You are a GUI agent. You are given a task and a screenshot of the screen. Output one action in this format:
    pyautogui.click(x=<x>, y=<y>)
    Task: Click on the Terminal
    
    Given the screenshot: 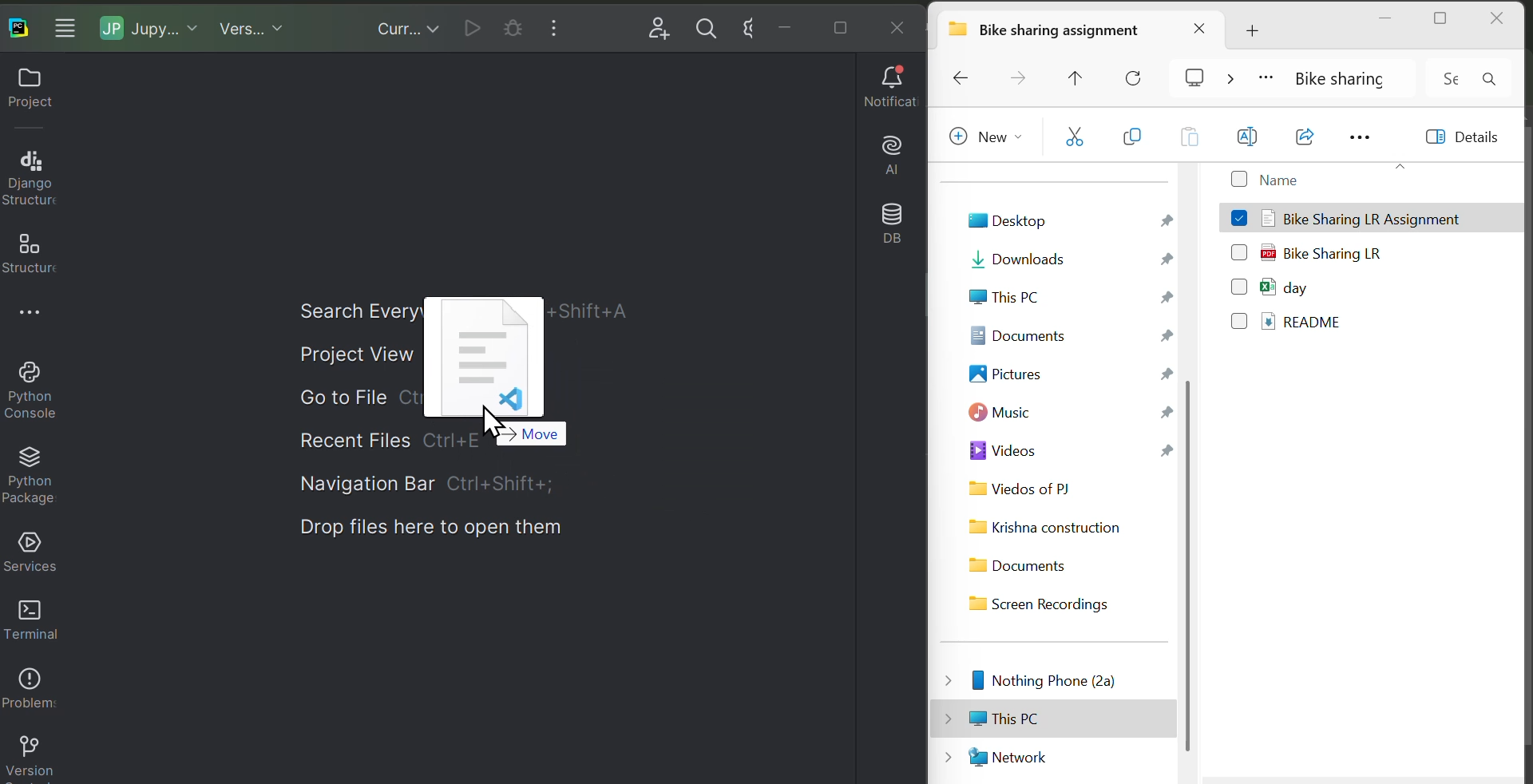 What is the action you would take?
    pyautogui.click(x=33, y=617)
    